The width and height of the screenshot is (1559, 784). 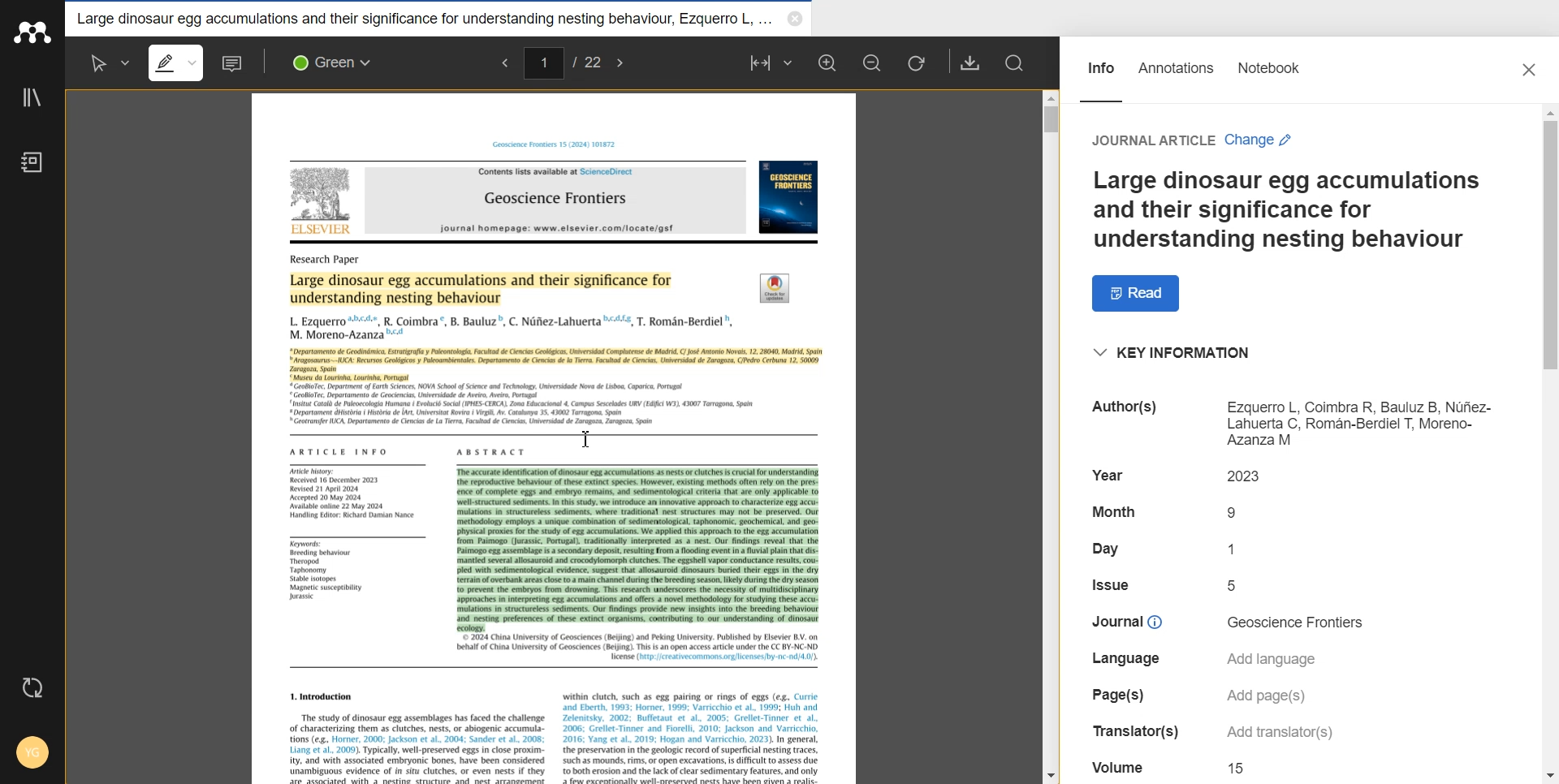 I want to click on text, so click(x=1111, y=584).